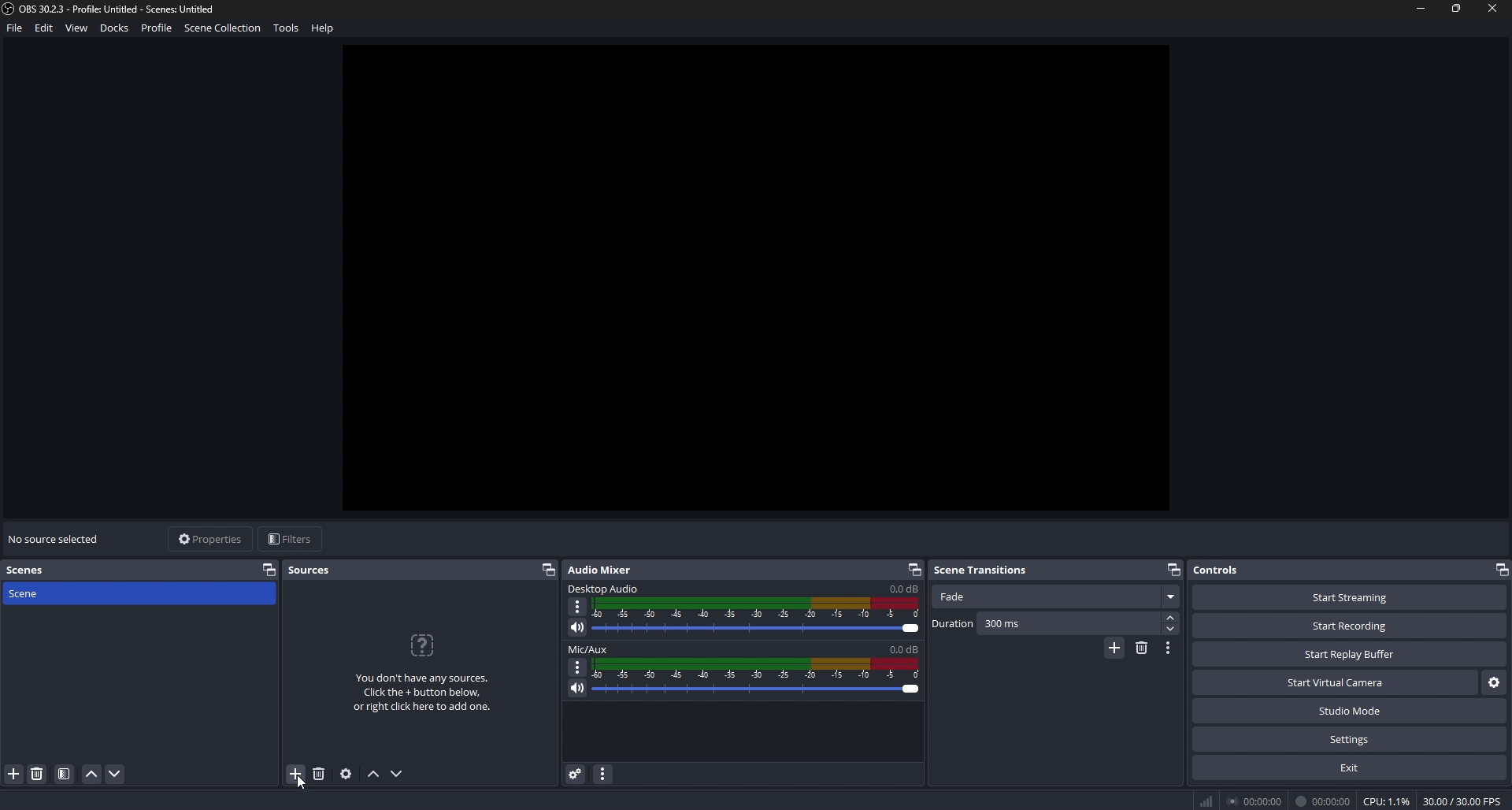  I want to click on advanced audio properties, so click(575, 773).